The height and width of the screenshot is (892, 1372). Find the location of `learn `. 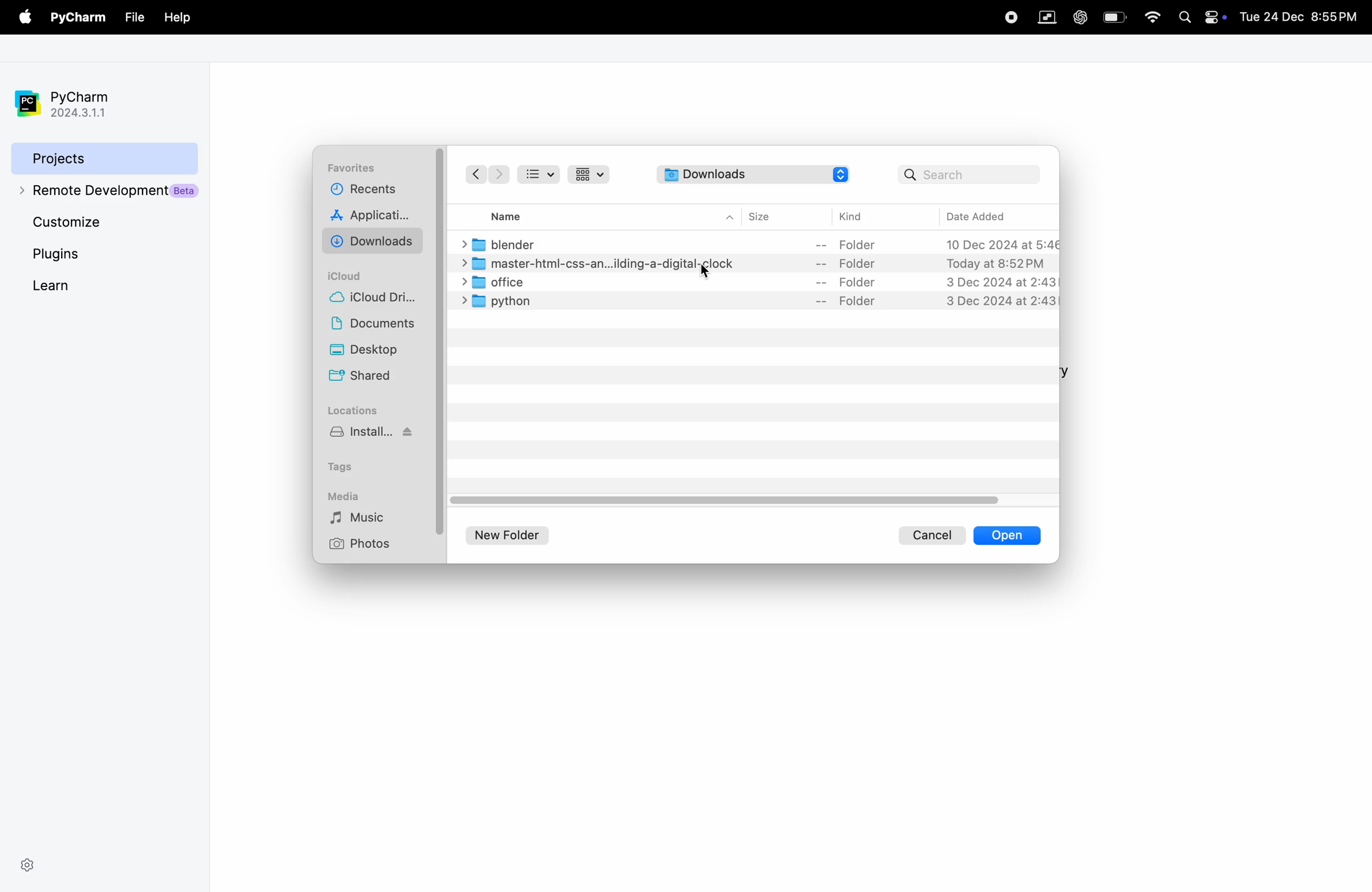

learn  is located at coordinates (84, 285).